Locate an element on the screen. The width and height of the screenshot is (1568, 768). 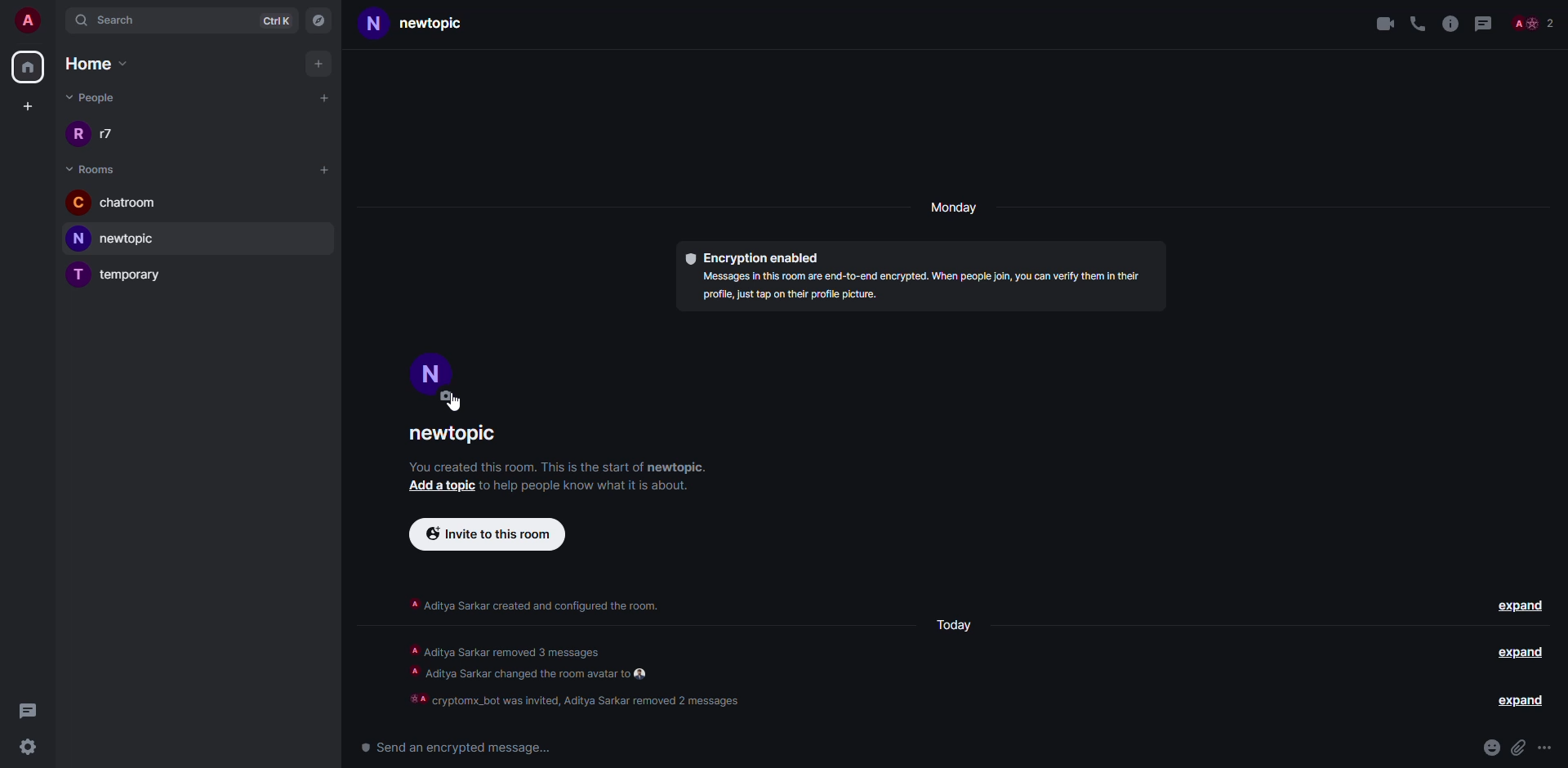
r7 is located at coordinates (96, 134).